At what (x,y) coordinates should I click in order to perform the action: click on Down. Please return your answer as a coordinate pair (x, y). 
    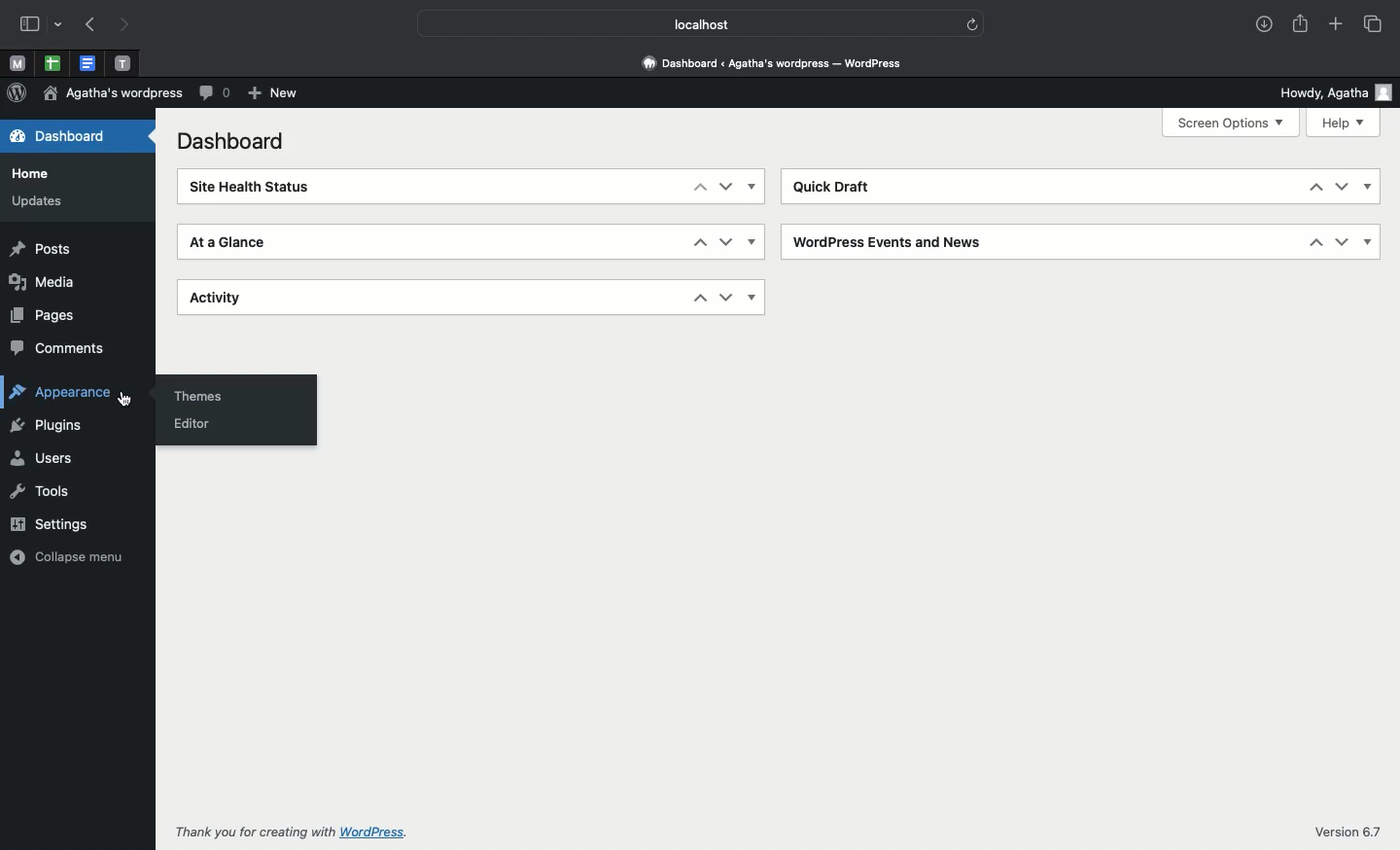
    Looking at the image, I should click on (725, 187).